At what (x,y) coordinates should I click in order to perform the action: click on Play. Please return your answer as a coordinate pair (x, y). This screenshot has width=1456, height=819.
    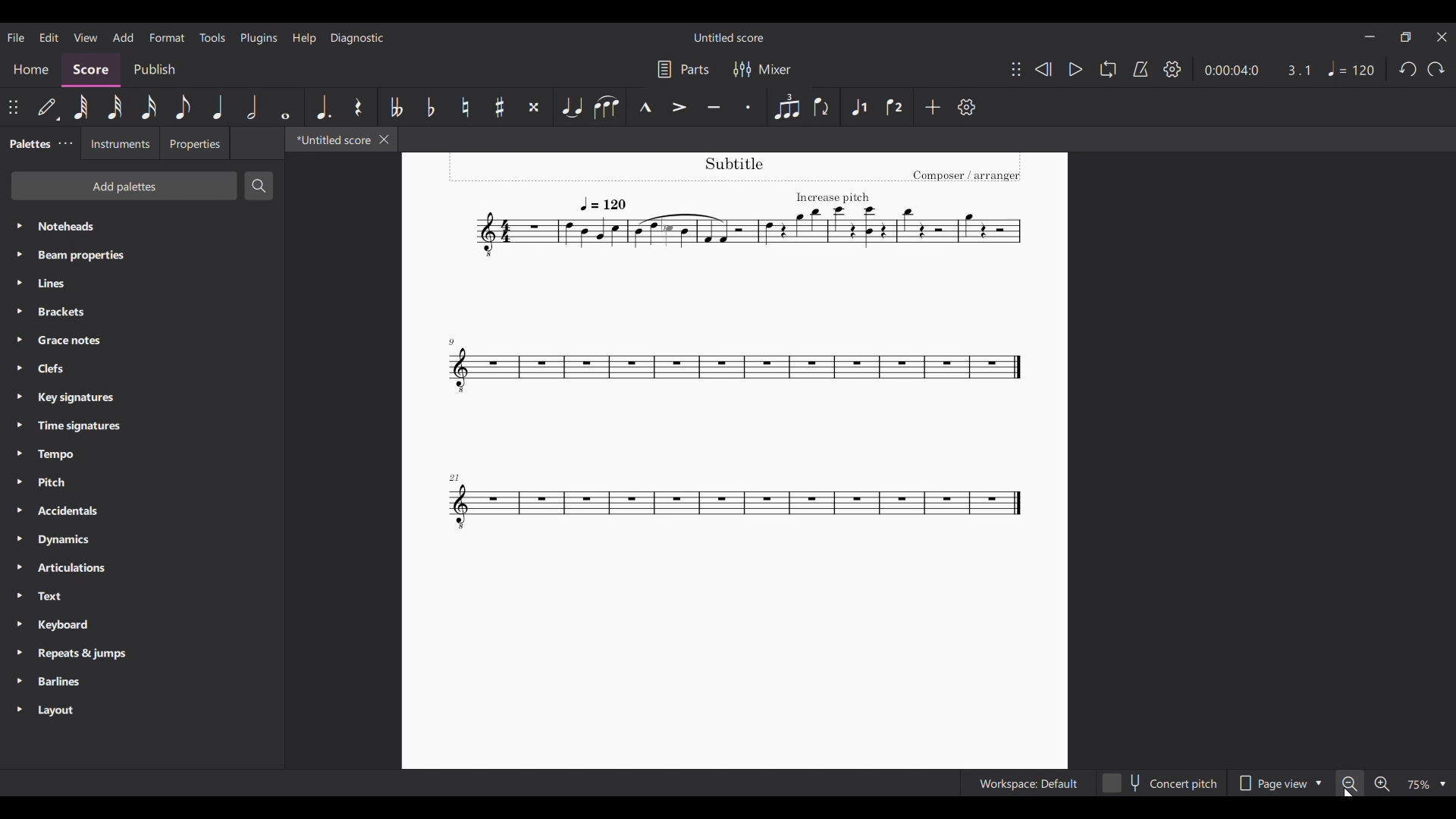
    Looking at the image, I should click on (1076, 69).